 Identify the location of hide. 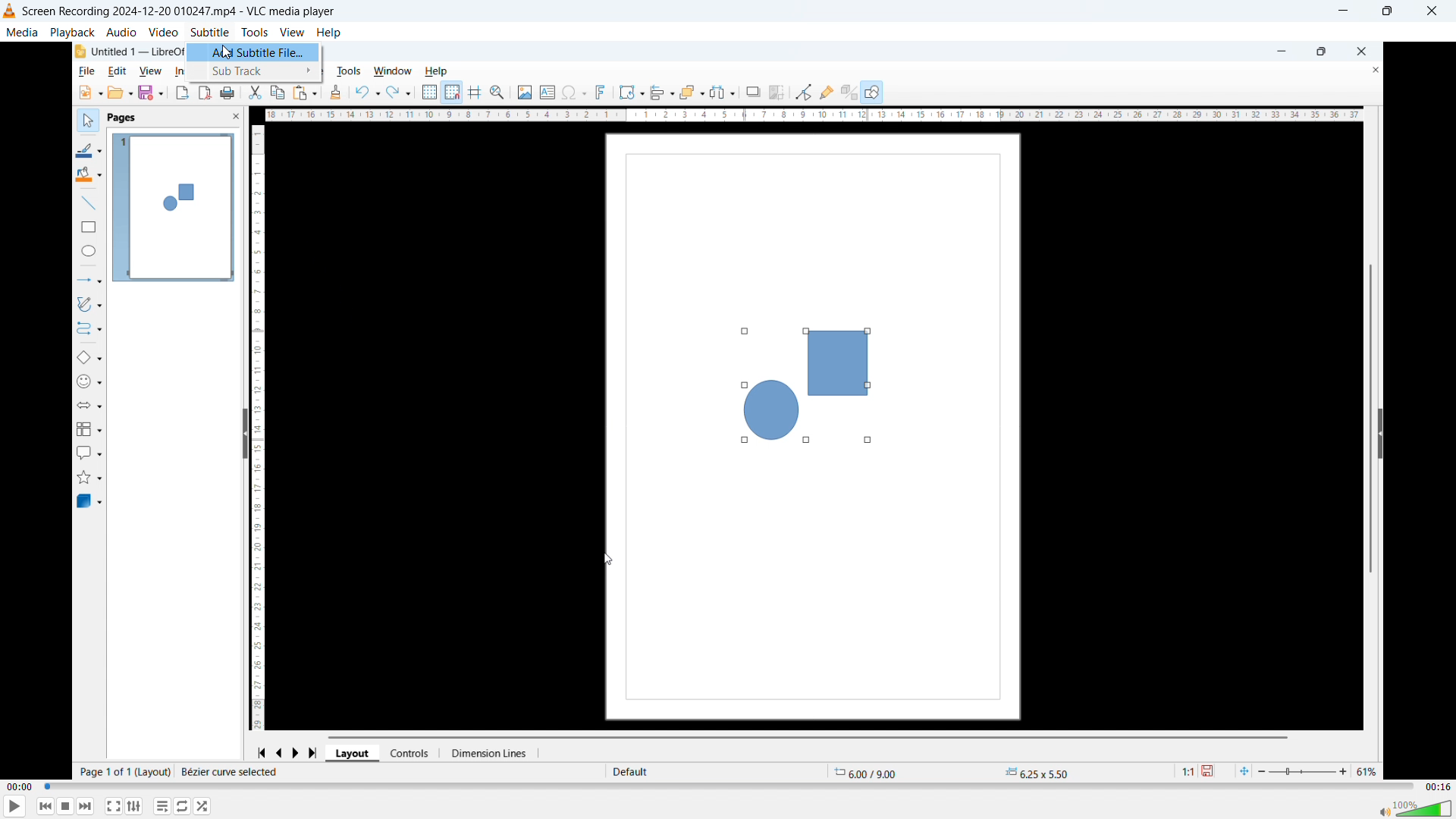
(243, 435).